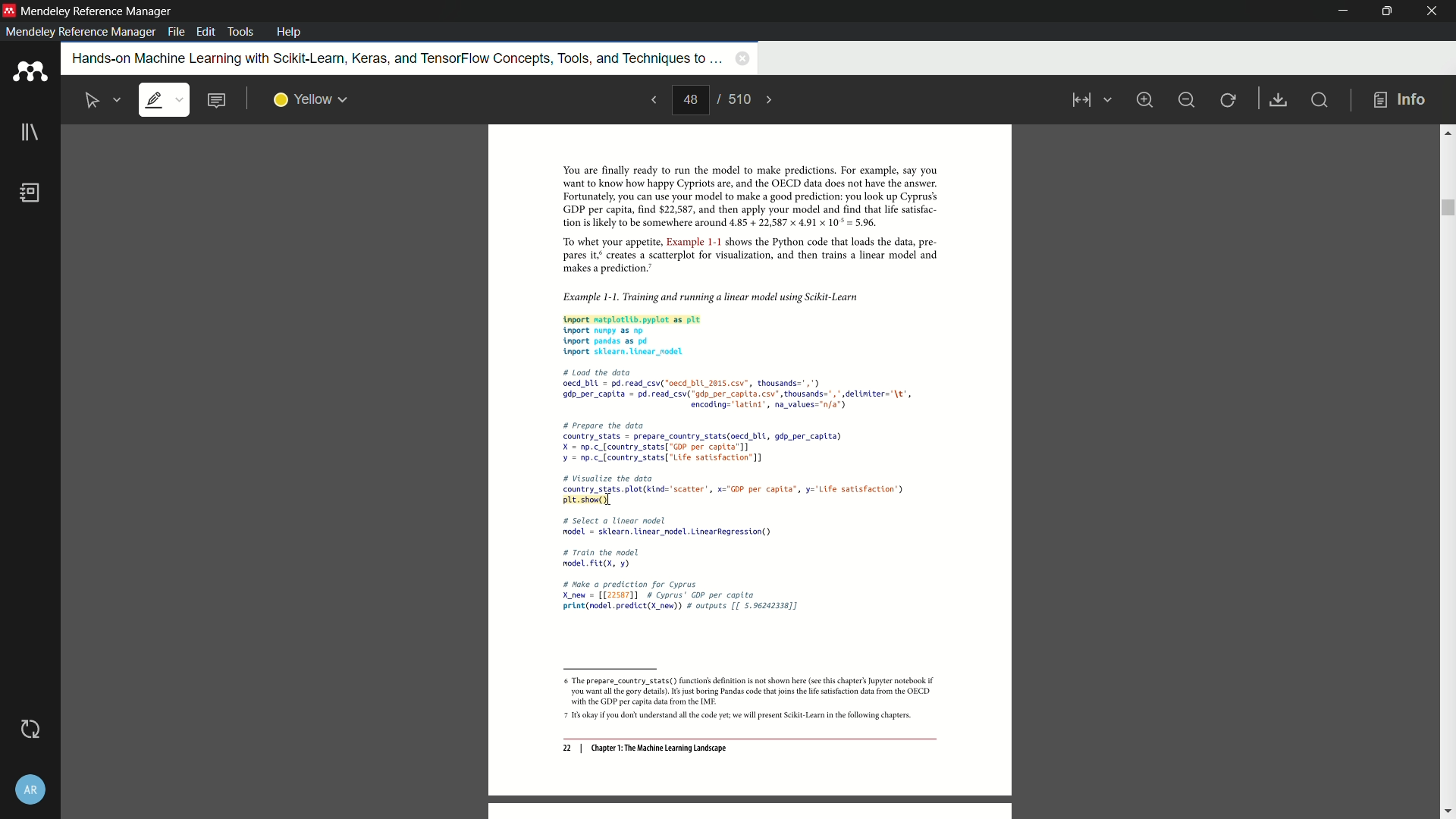 The width and height of the screenshot is (1456, 819). I want to click on previous page, so click(652, 99).